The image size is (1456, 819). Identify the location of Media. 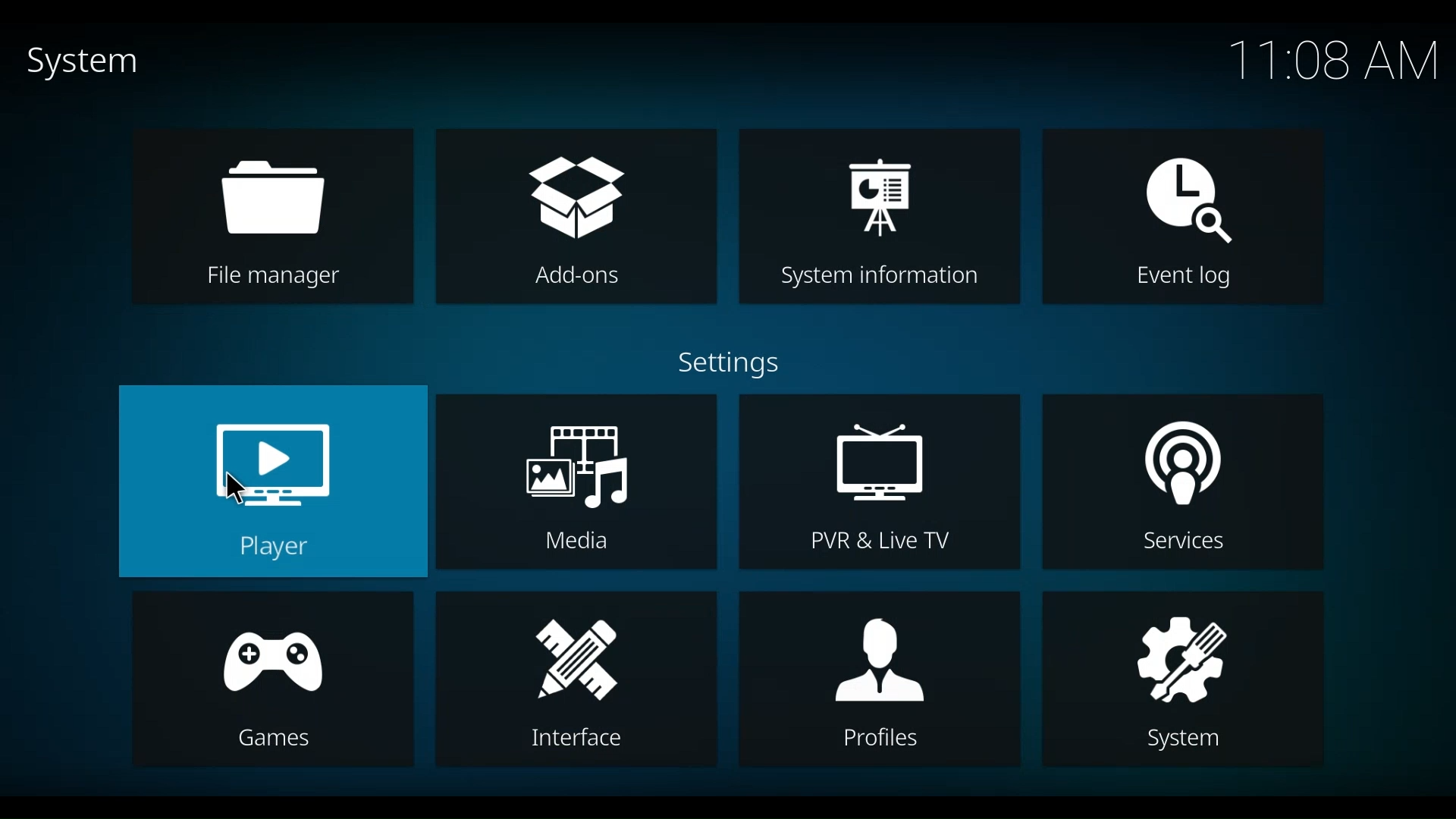
(575, 481).